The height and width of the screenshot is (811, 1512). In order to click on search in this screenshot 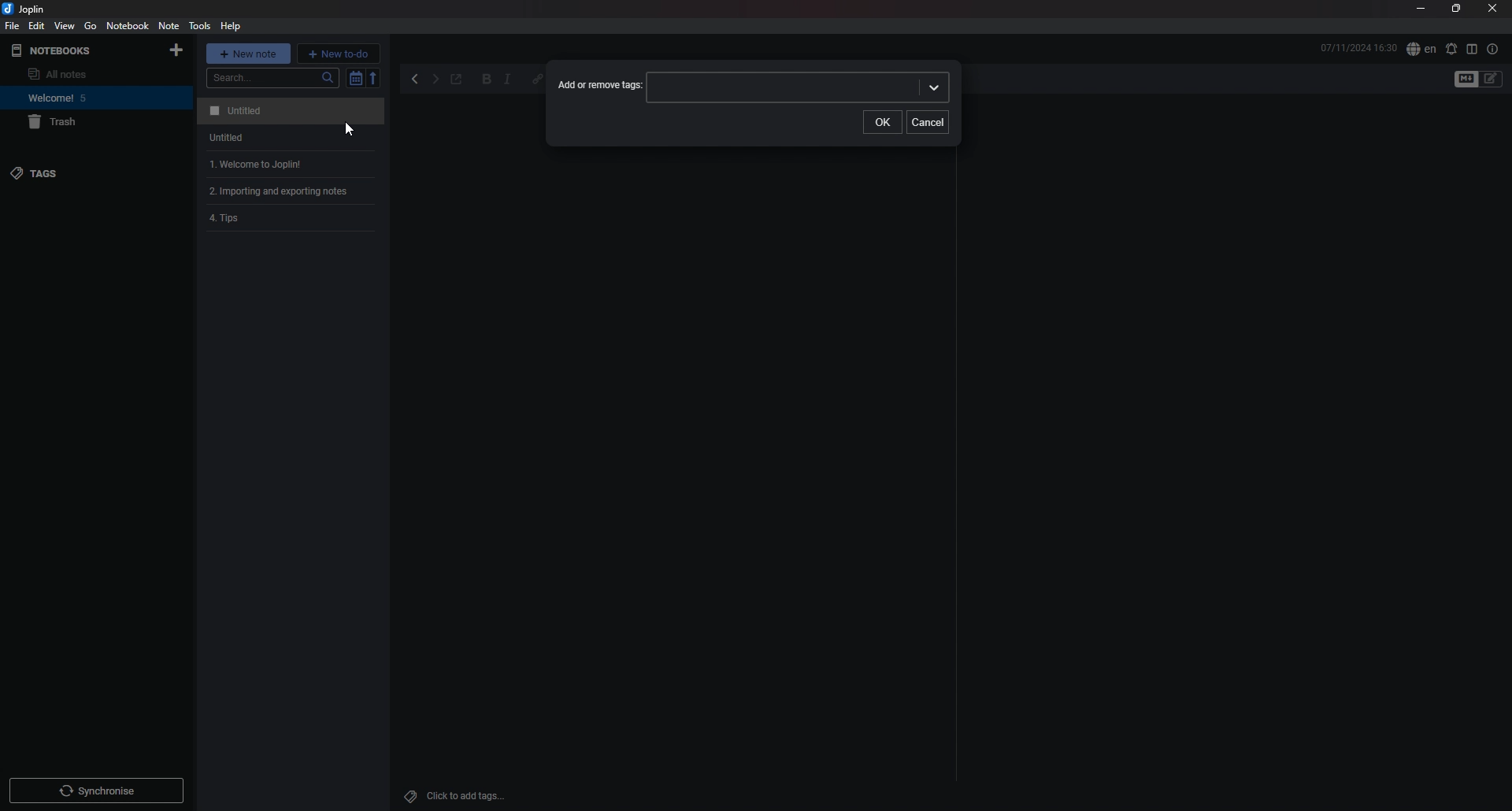, I will do `click(273, 78)`.